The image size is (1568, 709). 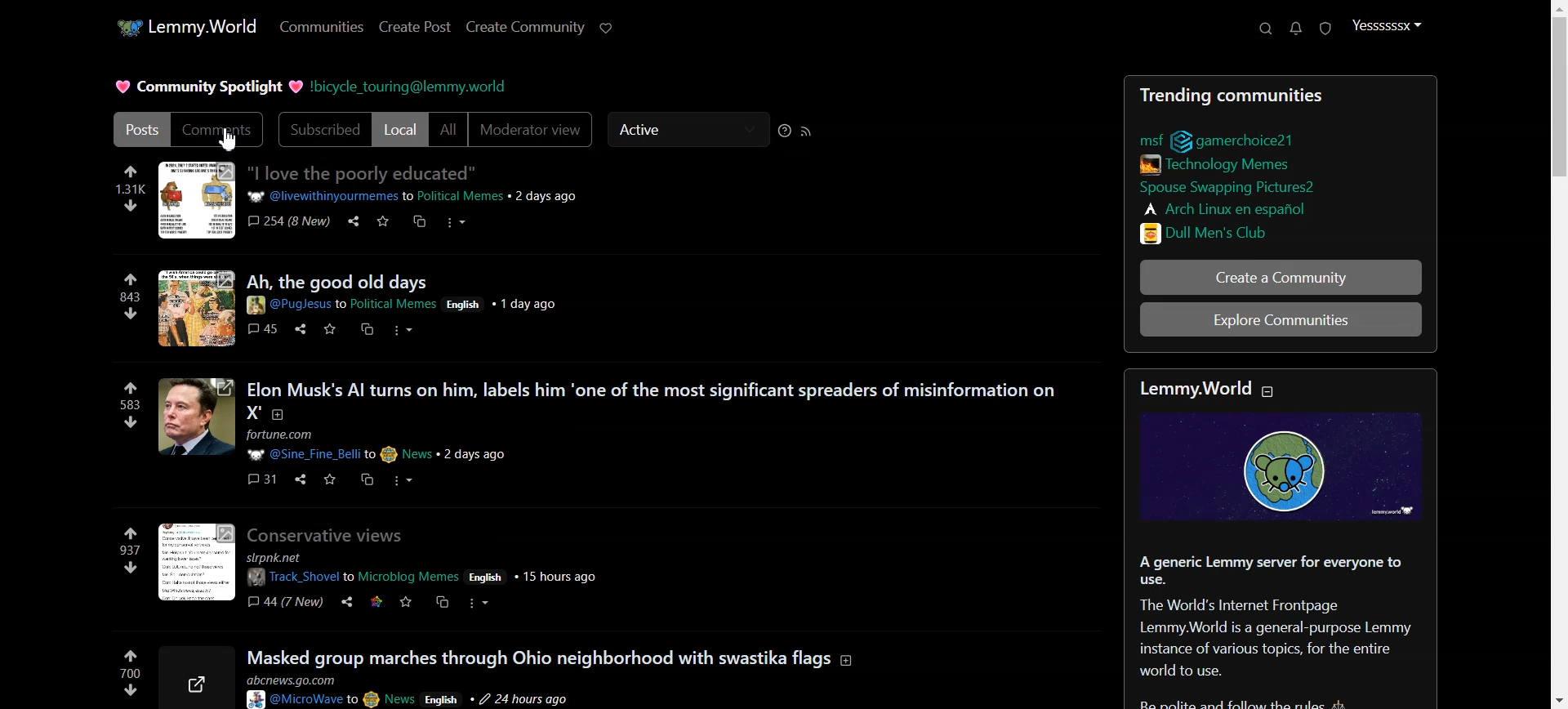 What do you see at coordinates (671, 148) in the screenshot?
I see `cursor` at bounding box center [671, 148].